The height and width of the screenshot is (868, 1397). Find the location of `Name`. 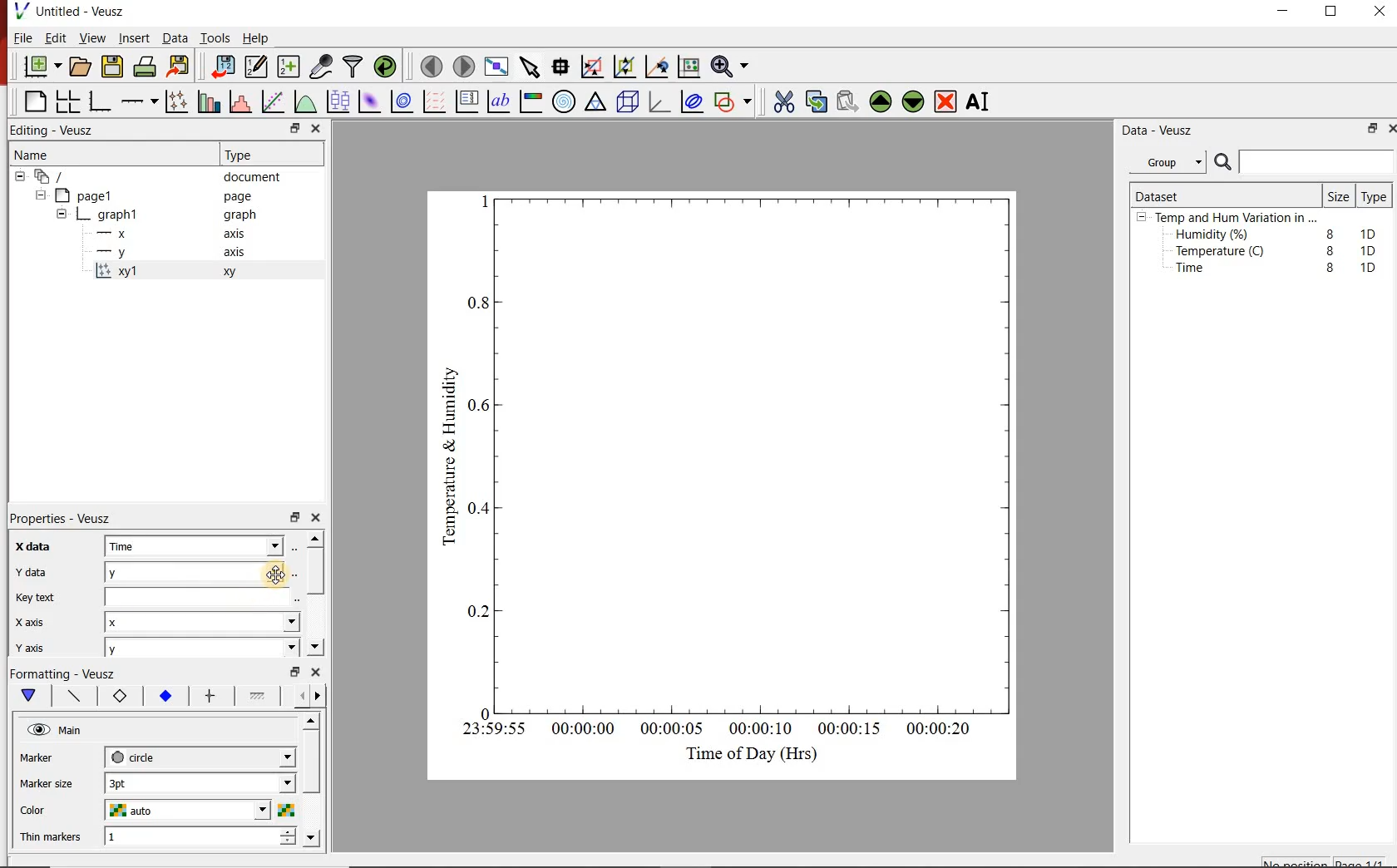

Name is located at coordinates (47, 156).